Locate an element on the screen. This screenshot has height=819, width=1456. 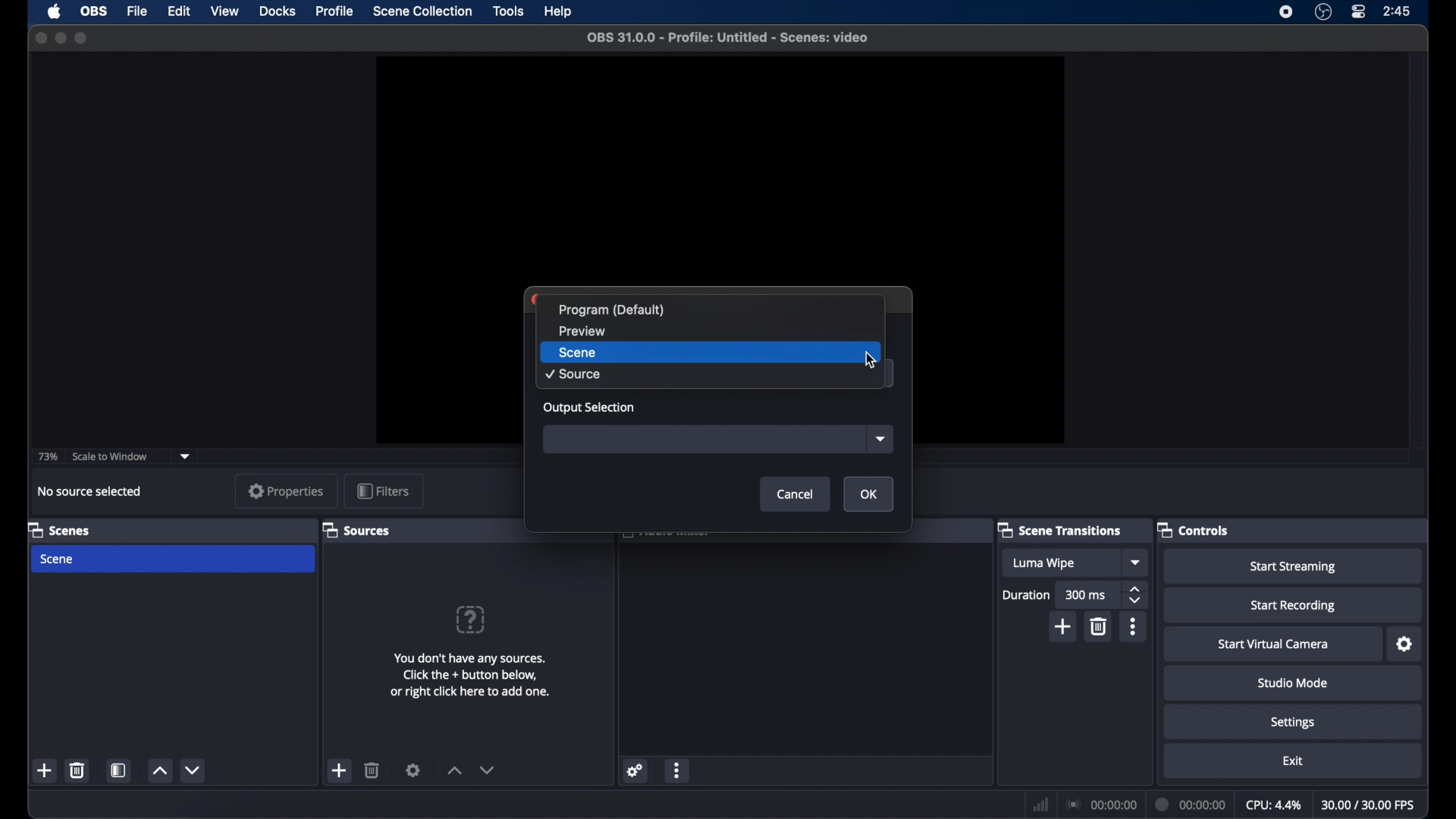
obs is located at coordinates (96, 11).